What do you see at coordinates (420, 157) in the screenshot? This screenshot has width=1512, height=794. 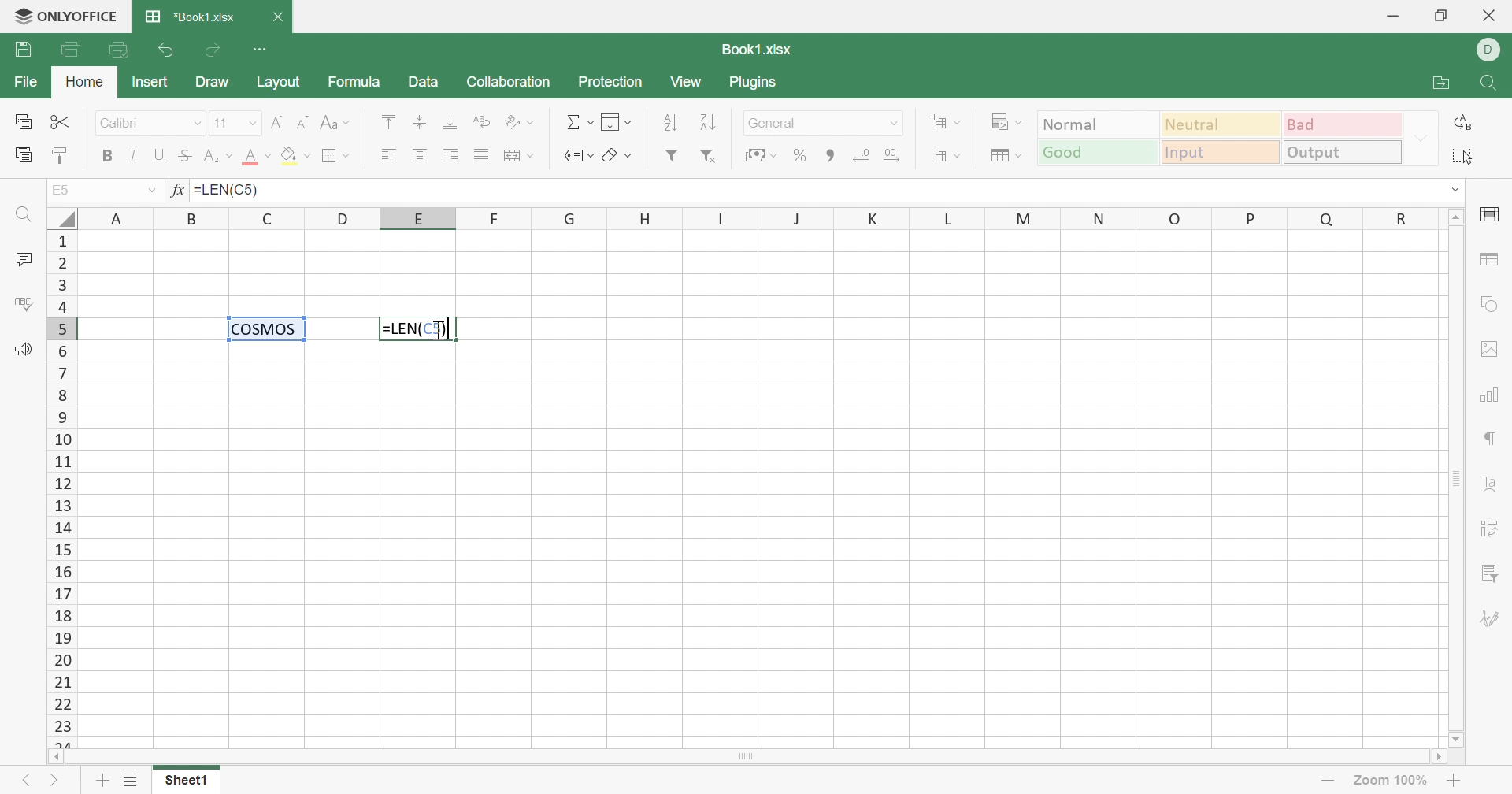 I see `Align center` at bounding box center [420, 157].